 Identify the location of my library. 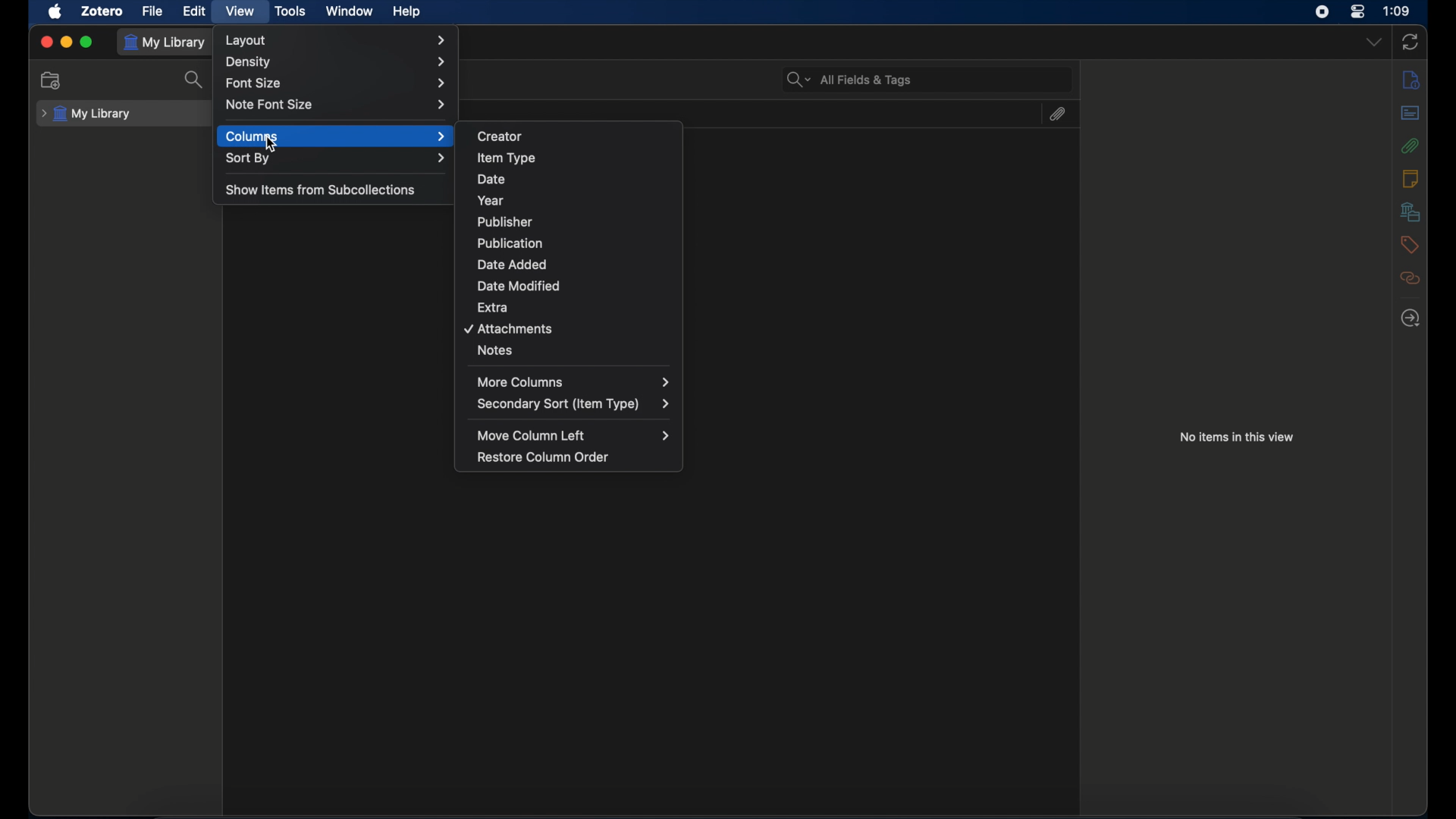
(86, 113).